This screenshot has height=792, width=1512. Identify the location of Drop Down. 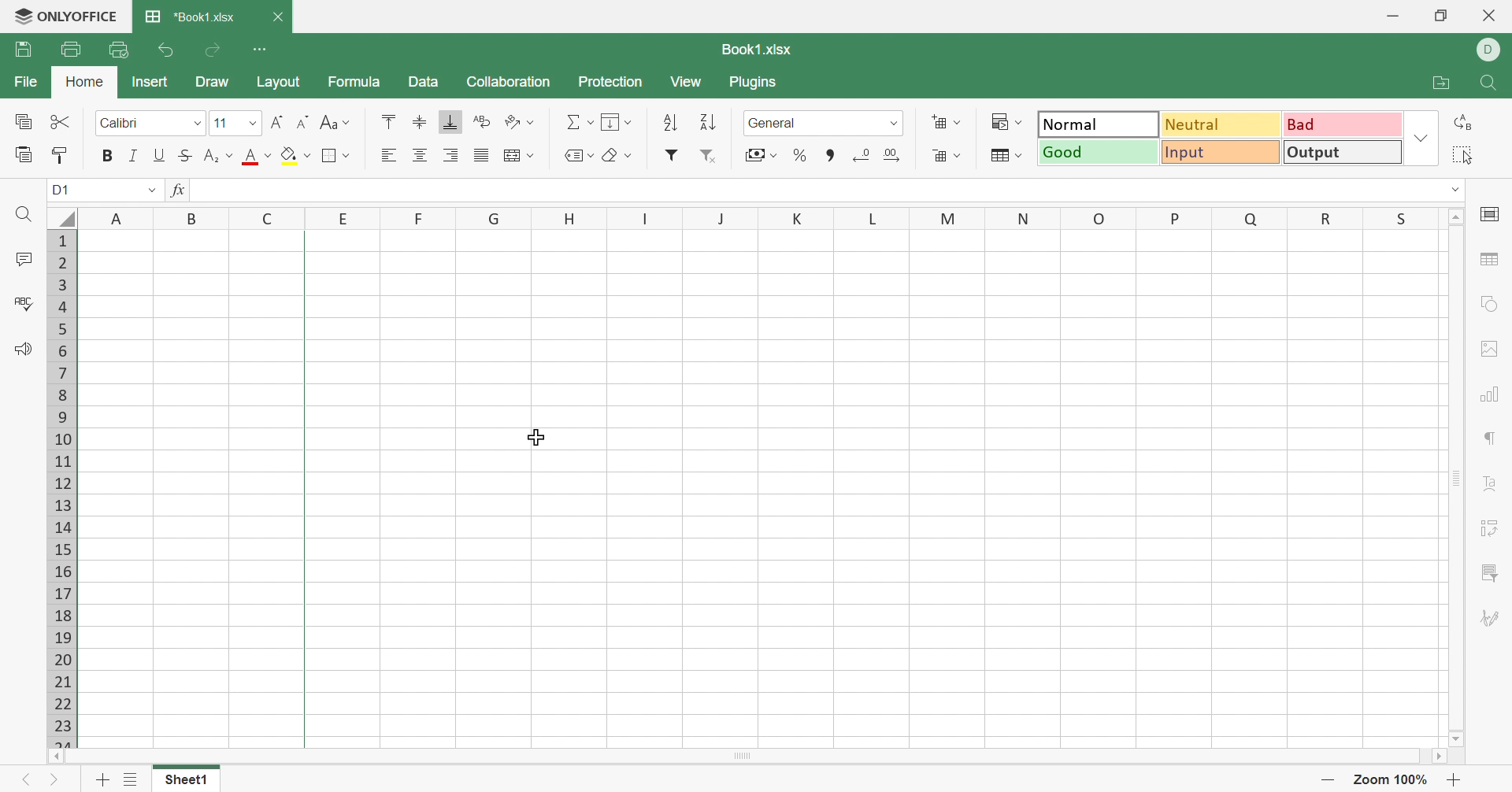
(774, 155).